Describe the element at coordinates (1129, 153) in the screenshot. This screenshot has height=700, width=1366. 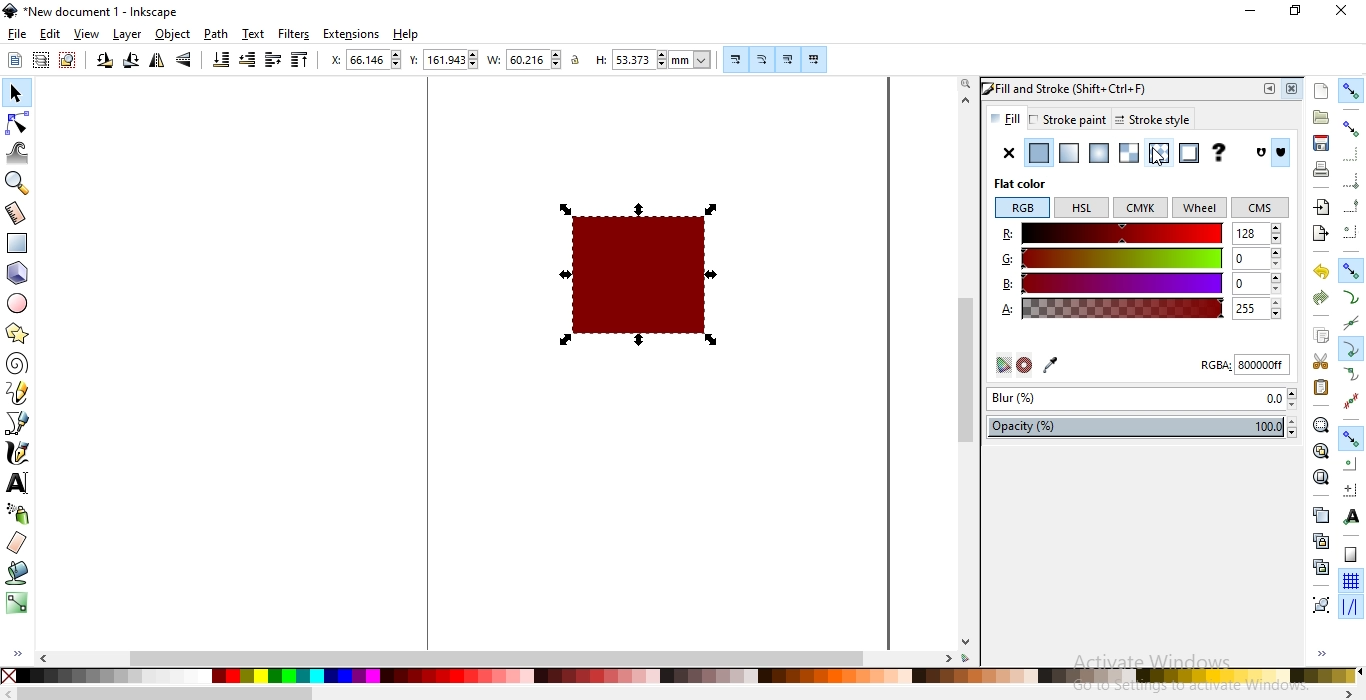
I see `mesh gradient` at that location.